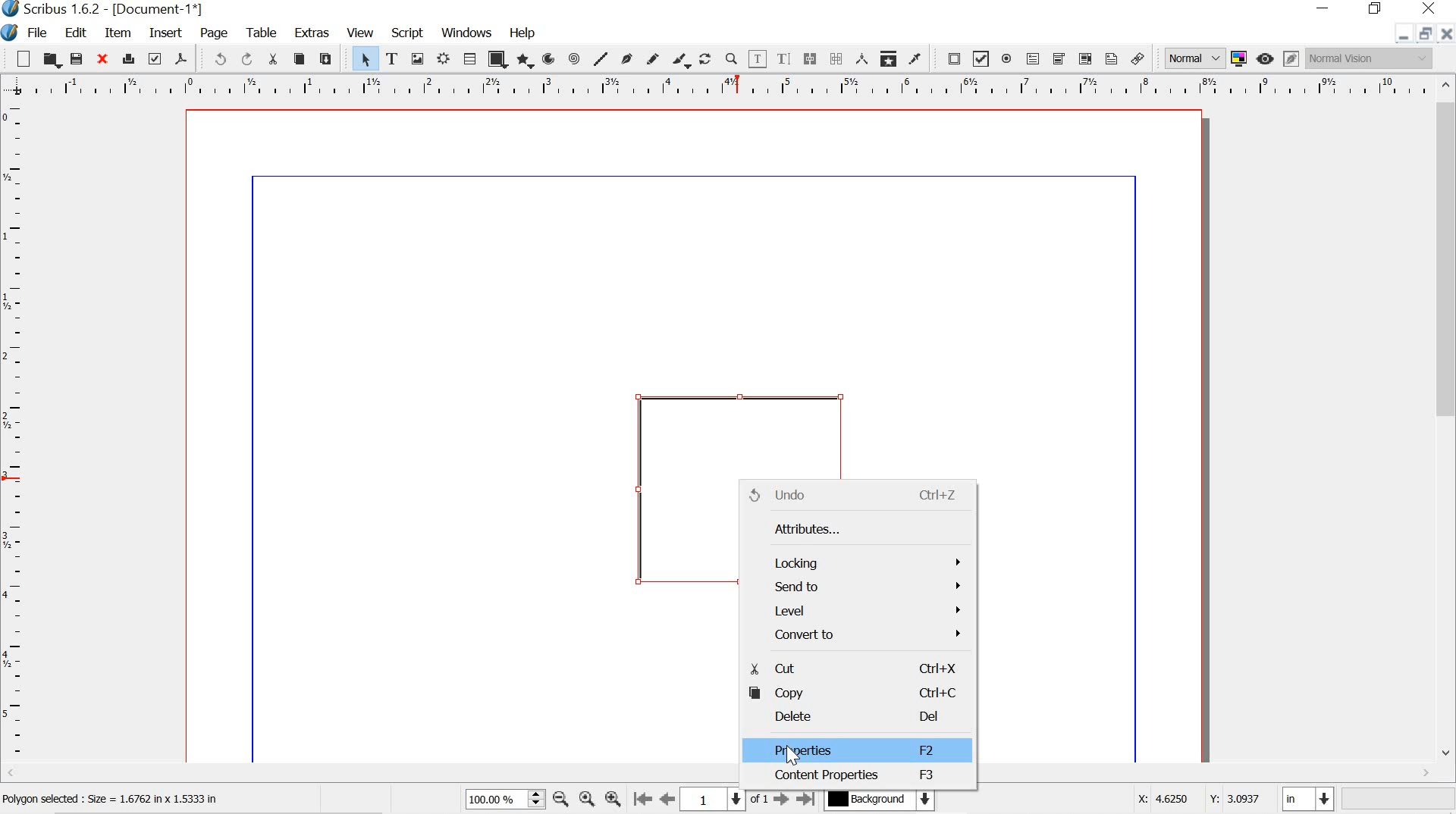  I want to click on copy item properties, so click(887, 57).